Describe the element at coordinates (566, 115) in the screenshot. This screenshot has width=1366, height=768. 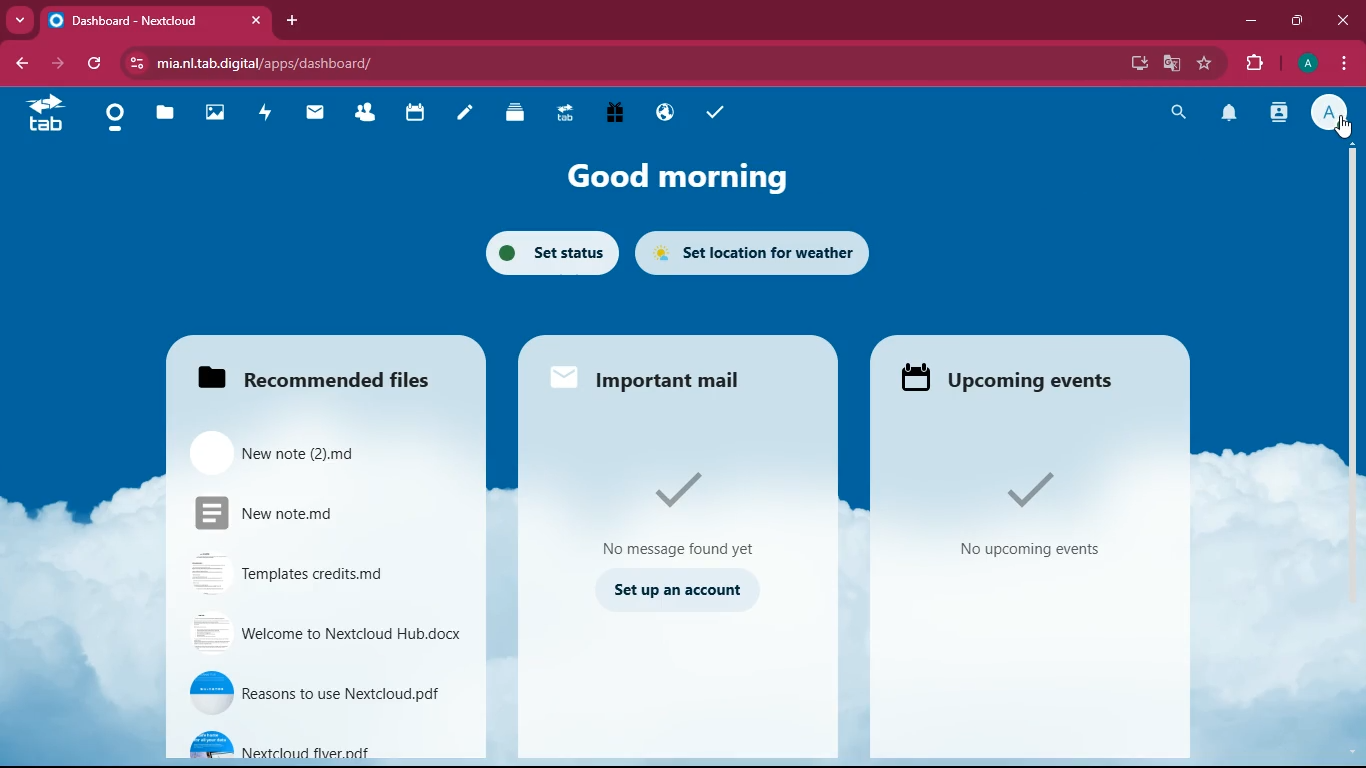
I see `Upgrade` at that location.